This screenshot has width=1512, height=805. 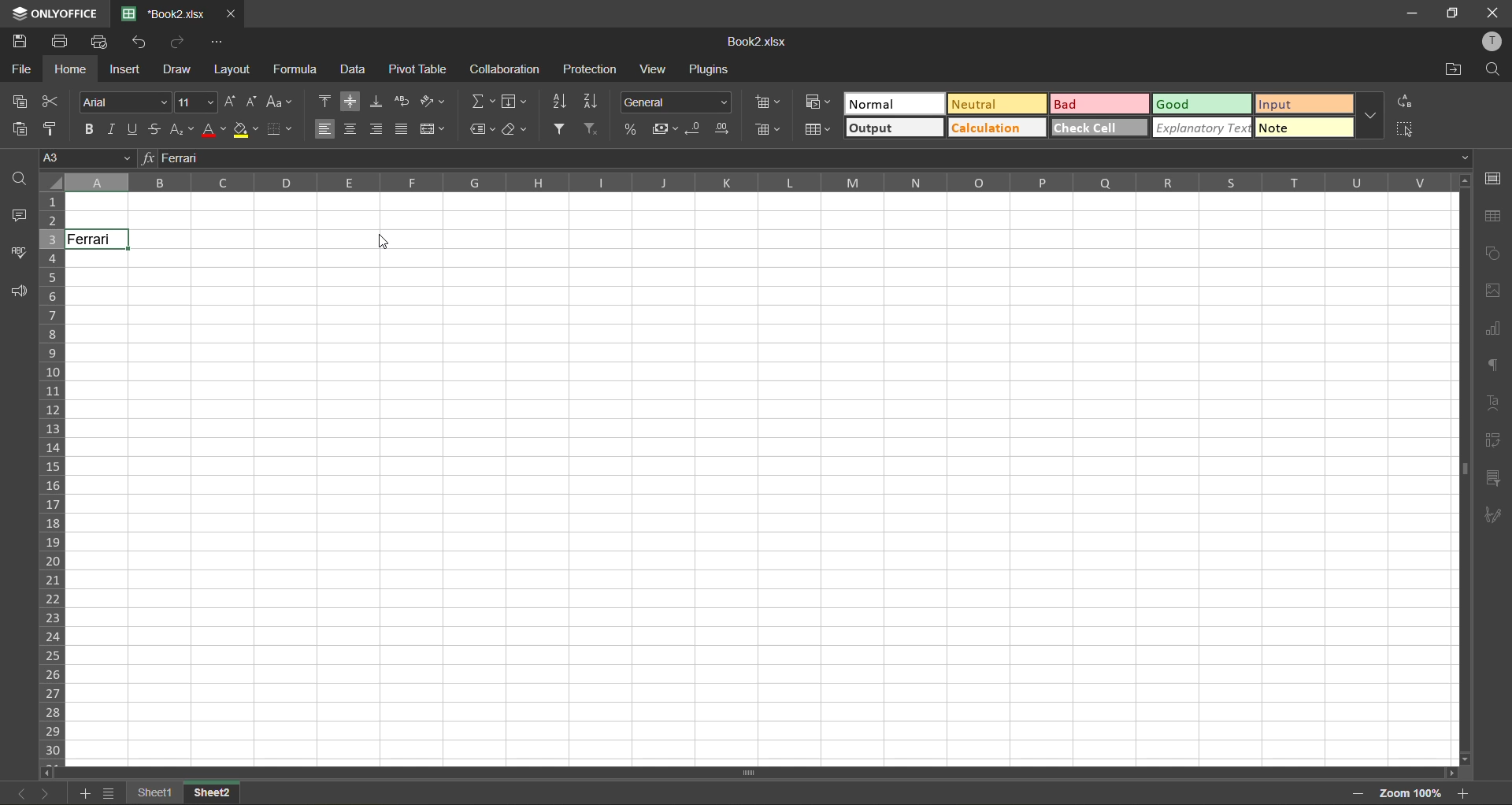 What do you see at coordinates (402, 103) in the screenshot?
I see `wrap text` at bounding box center [402, 103].